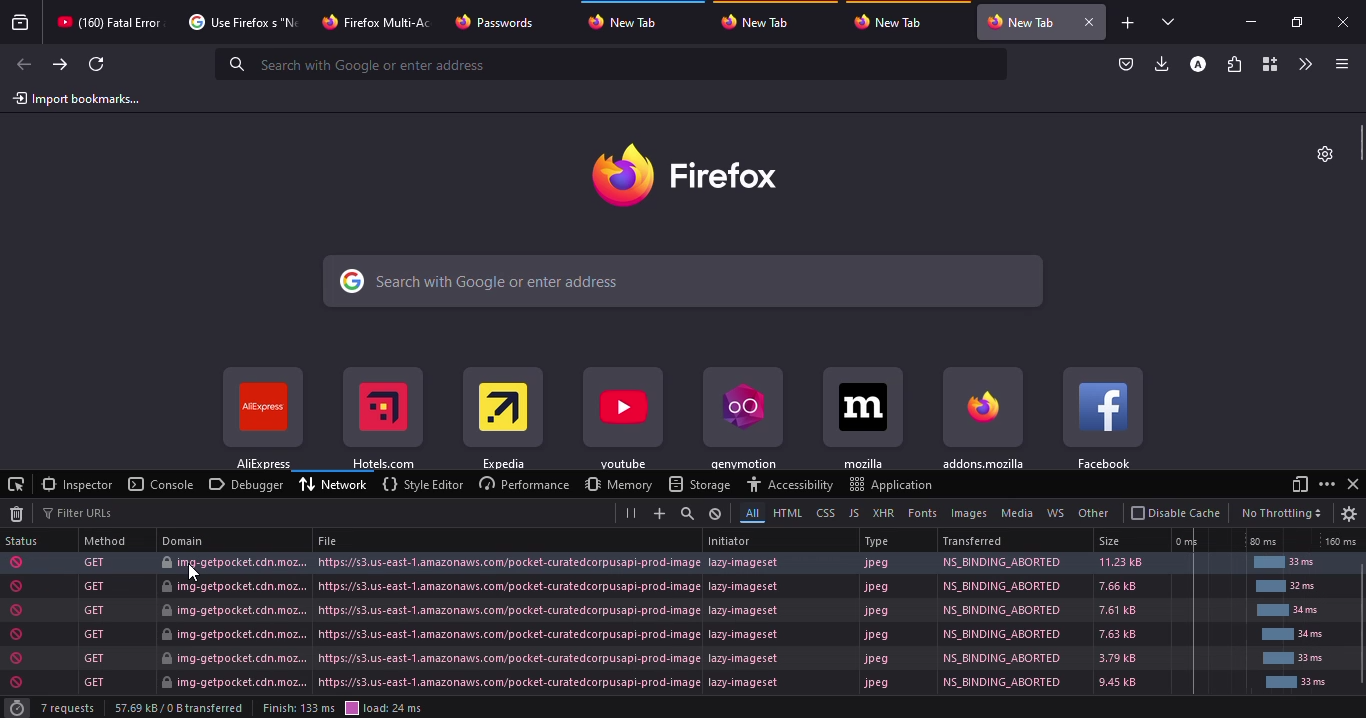  Describe the element at coordinates (367, 64) in the screenshot. I see `search` at that location.